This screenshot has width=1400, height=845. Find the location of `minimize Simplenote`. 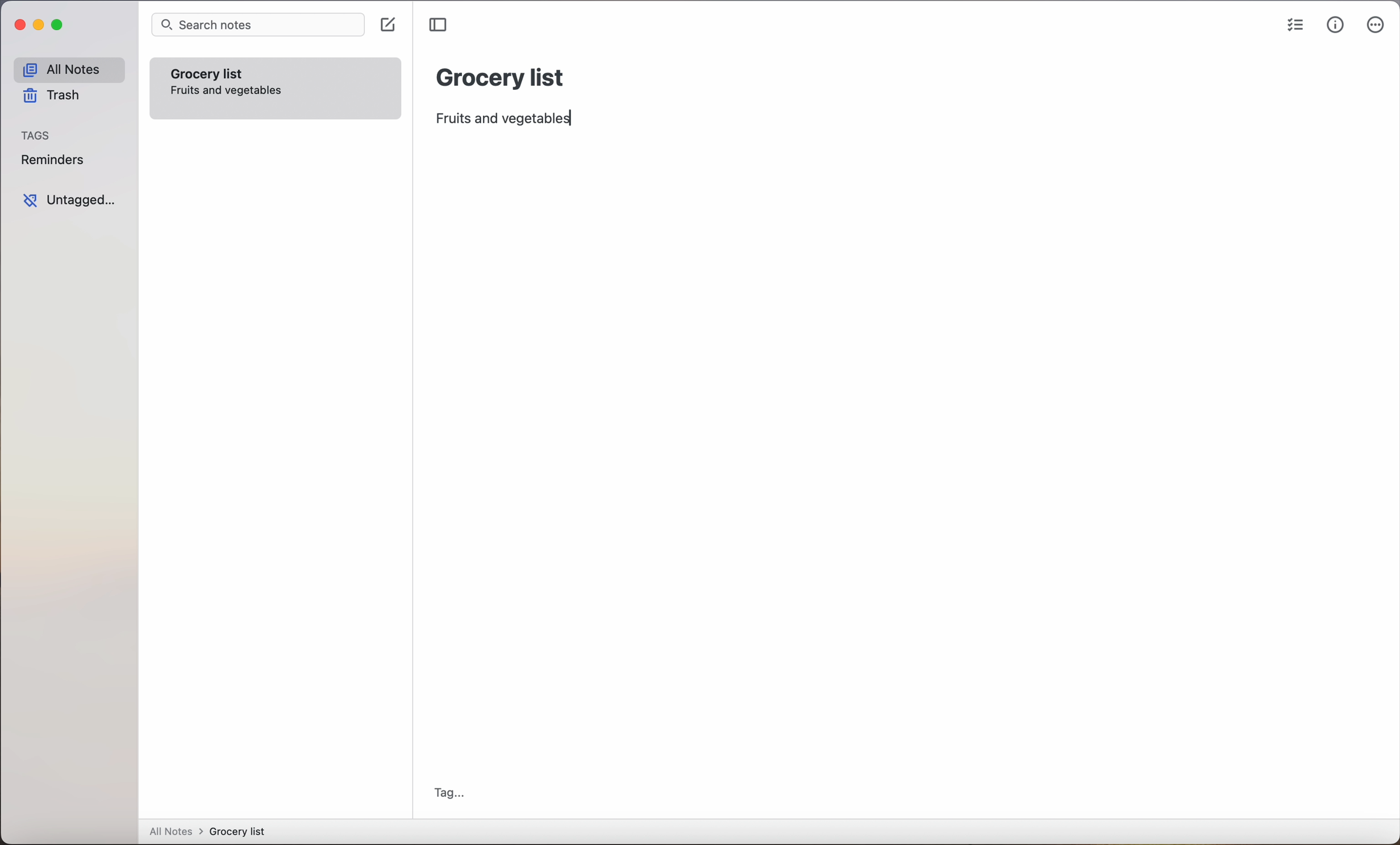

minimize Simplenote is located at coordinates (41, 27).